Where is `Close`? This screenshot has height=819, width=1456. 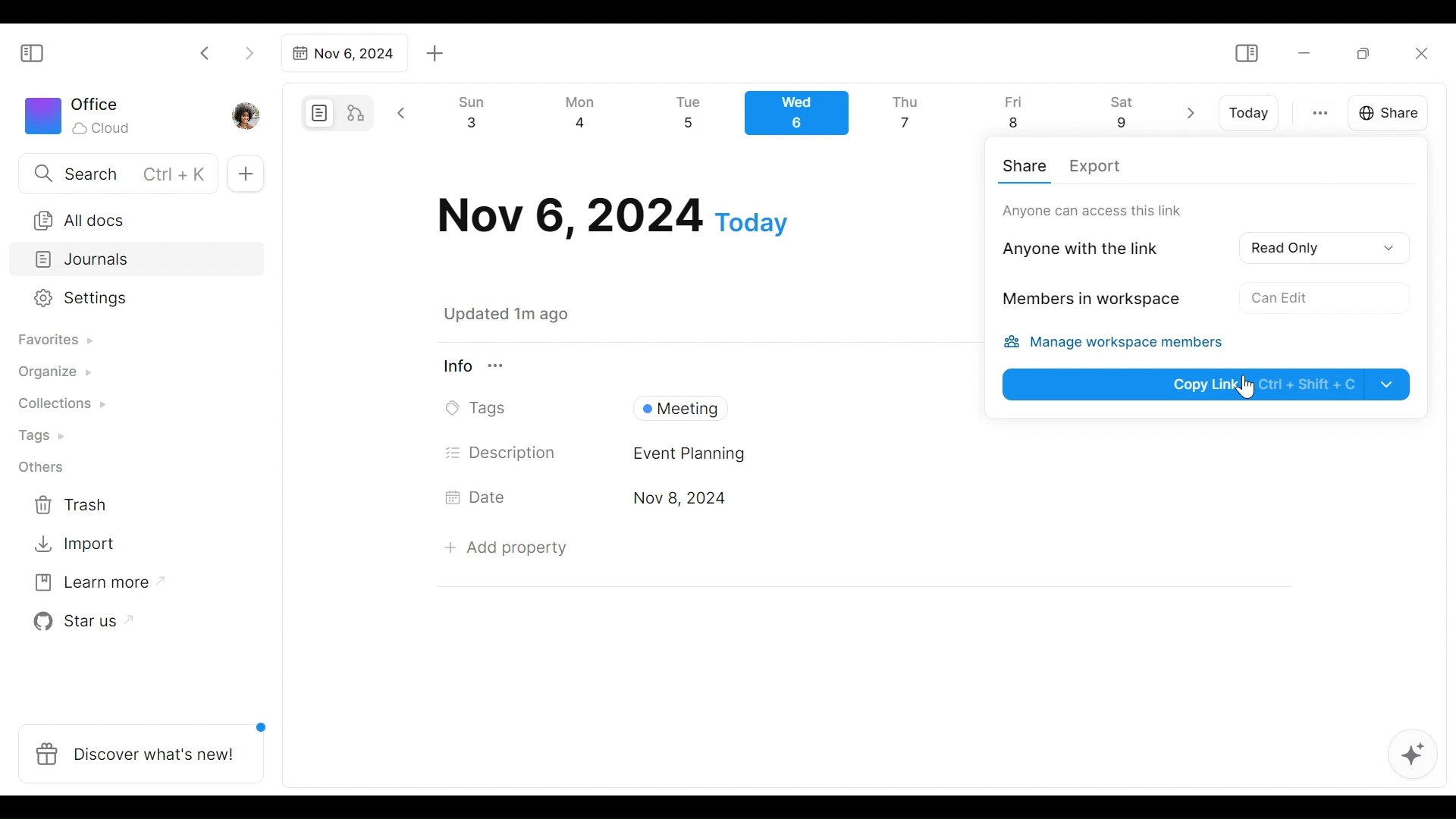
Close is located at coordinates (1420, 53).